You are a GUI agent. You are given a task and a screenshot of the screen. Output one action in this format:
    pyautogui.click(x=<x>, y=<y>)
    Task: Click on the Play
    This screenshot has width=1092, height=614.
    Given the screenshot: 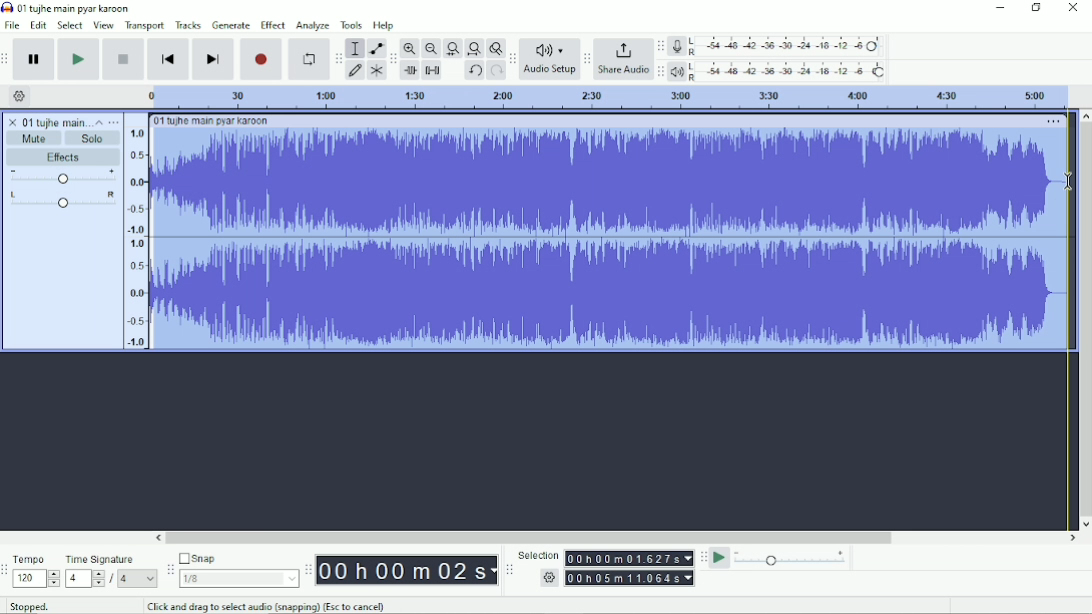 What is the action you would take?
    pyautogui.click(x=80, y=59)
    